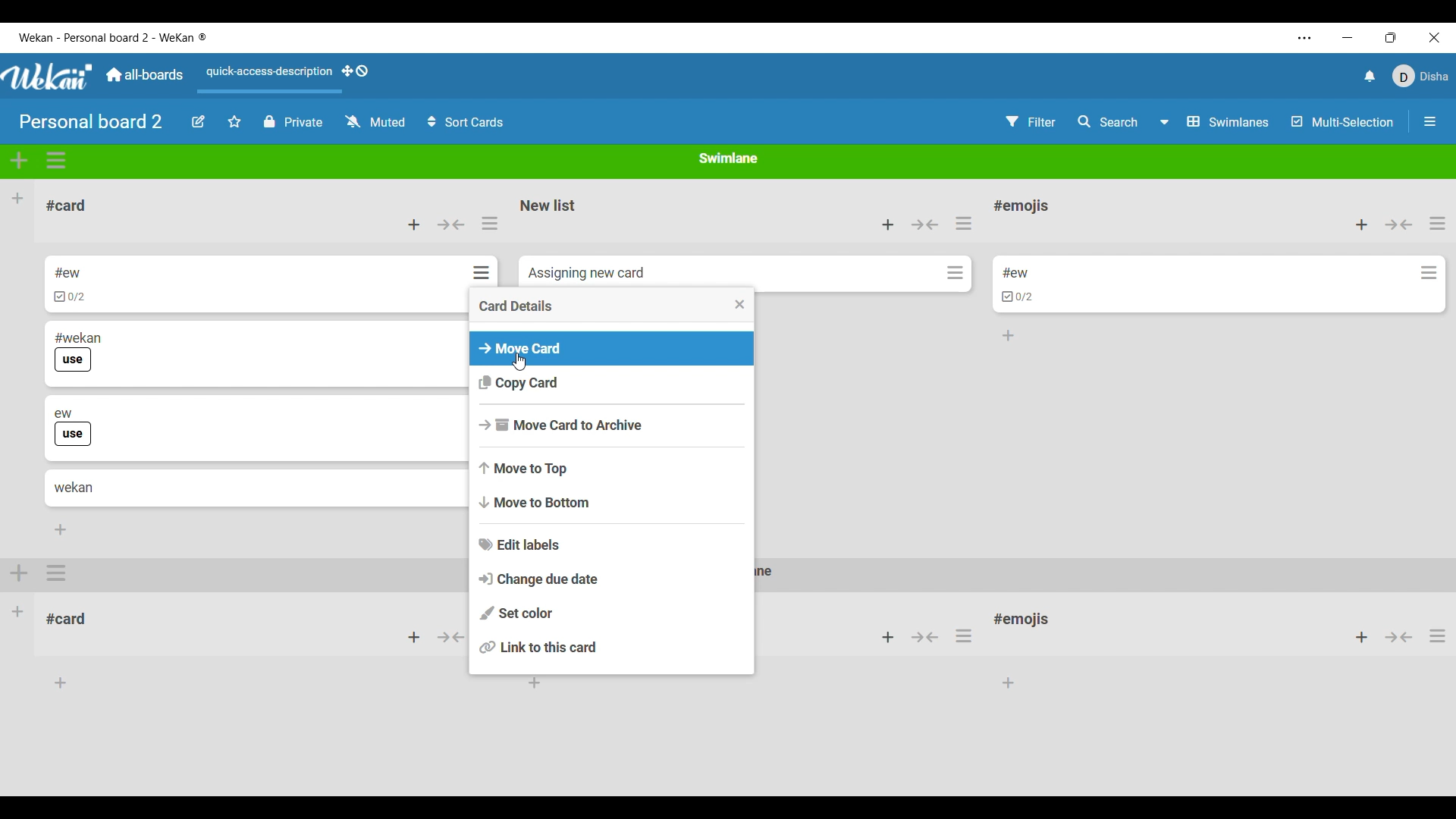  What do you see at coordinates (78, 352) in the screenshot?
I see `Card title and label` at bounding box center [78, 352].